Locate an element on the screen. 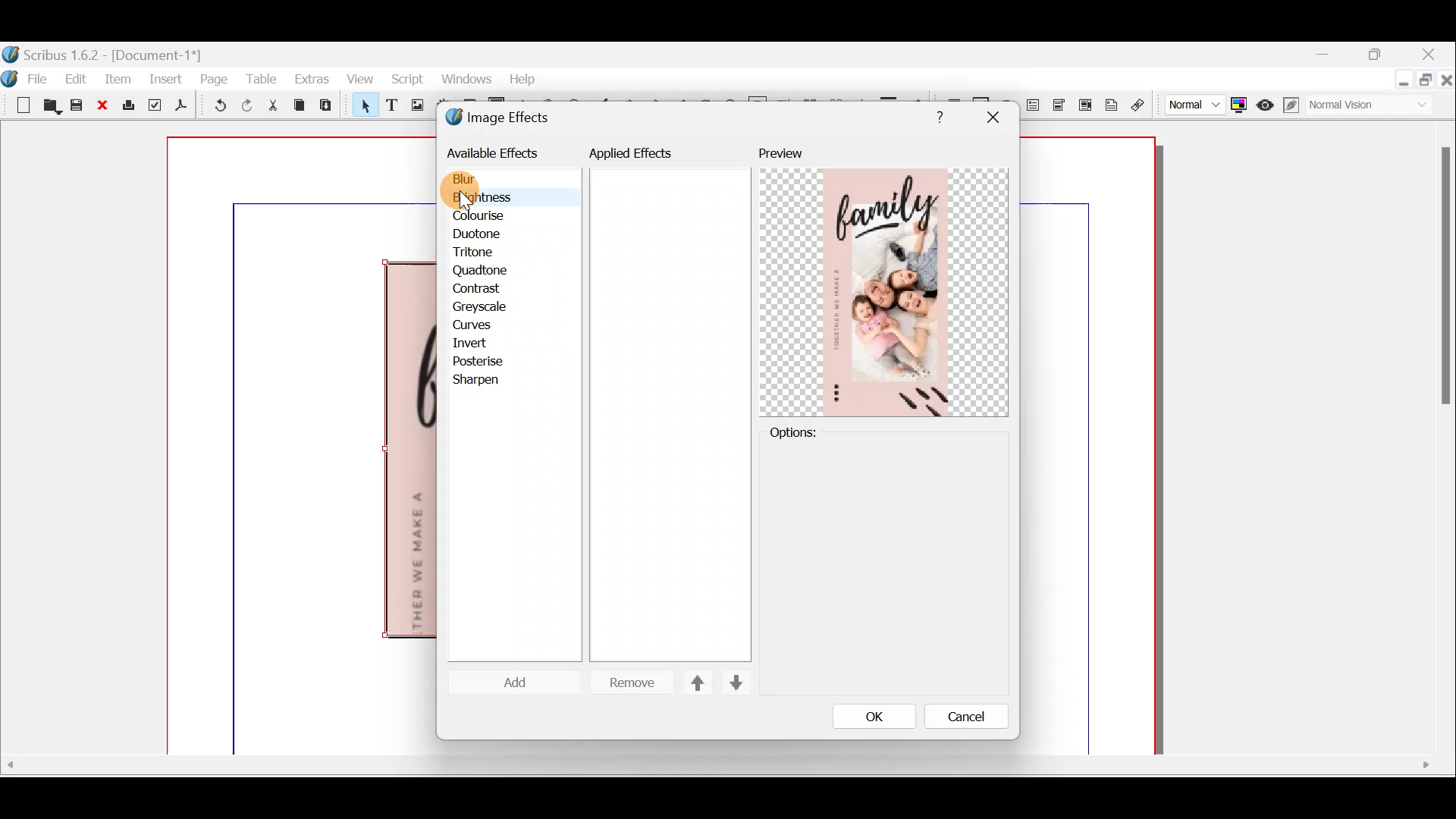 The width and height of the screenshot is (1456, 819). Sharpen is located at coordinates (484, 381).